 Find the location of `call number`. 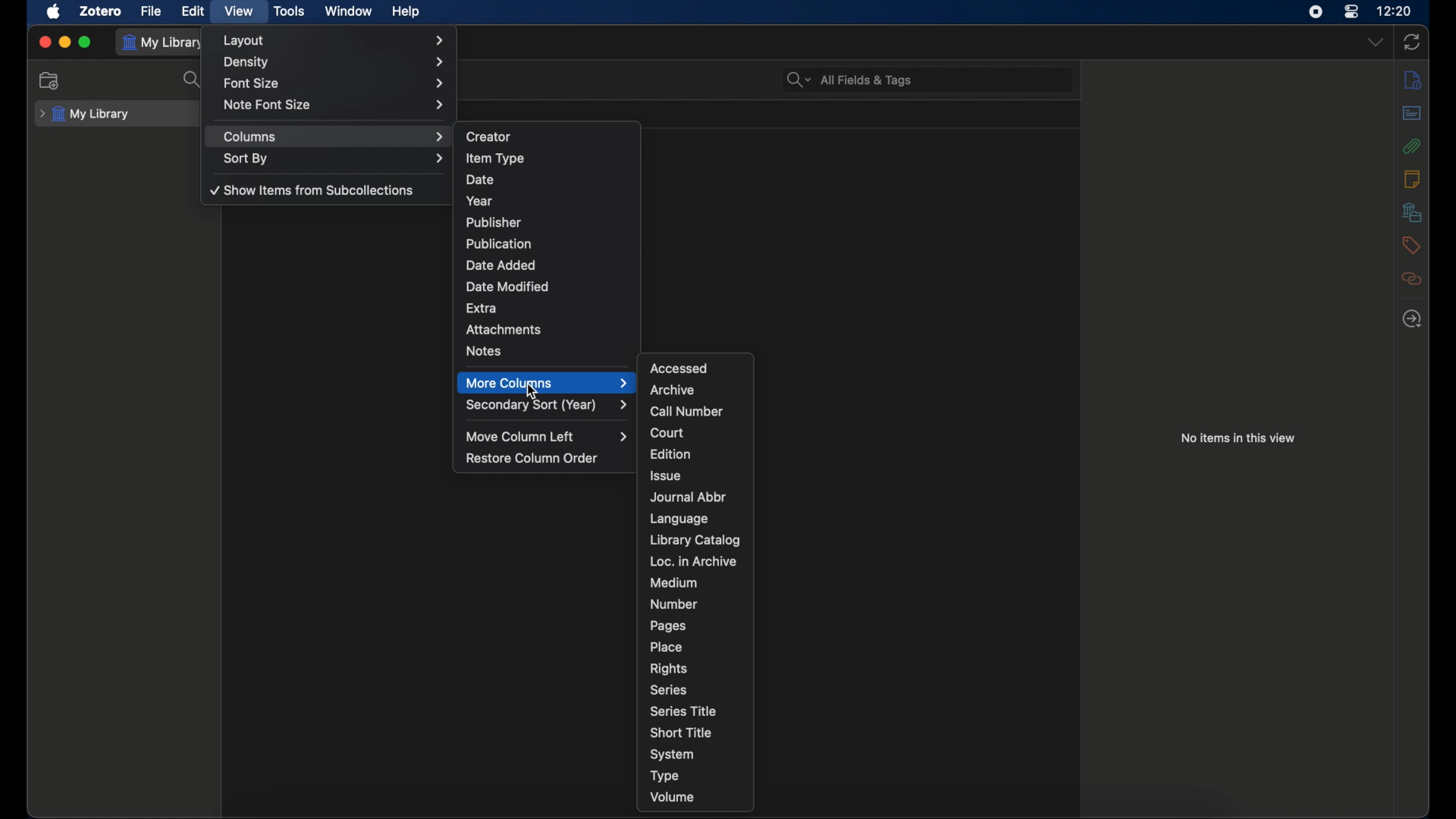

call number is located at coordinates (686, 412).